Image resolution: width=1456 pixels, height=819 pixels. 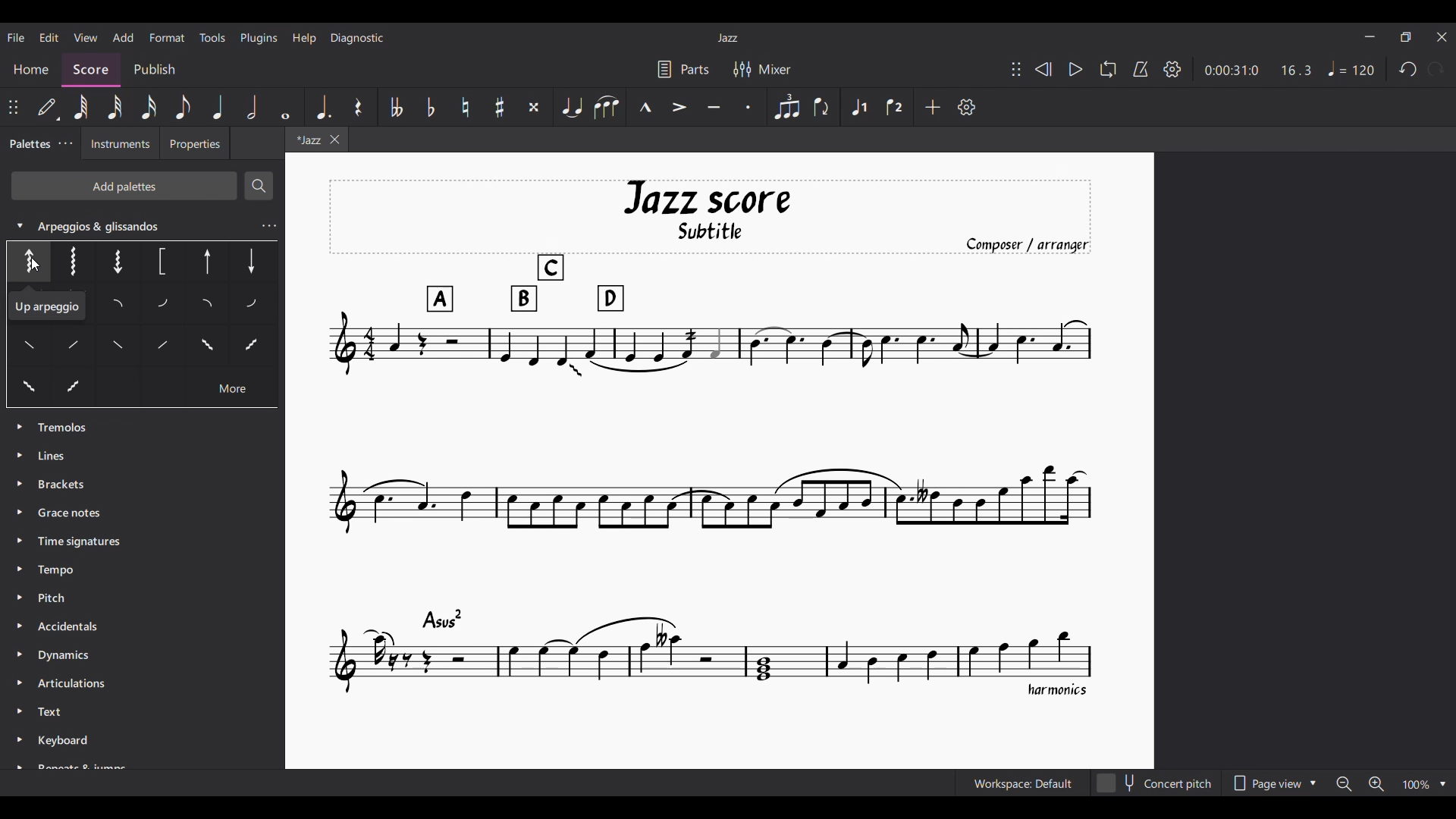 What do you see at coordinates (1076, 69) in the screenshot?
I see `Play` at bounding box center [1076, 69].